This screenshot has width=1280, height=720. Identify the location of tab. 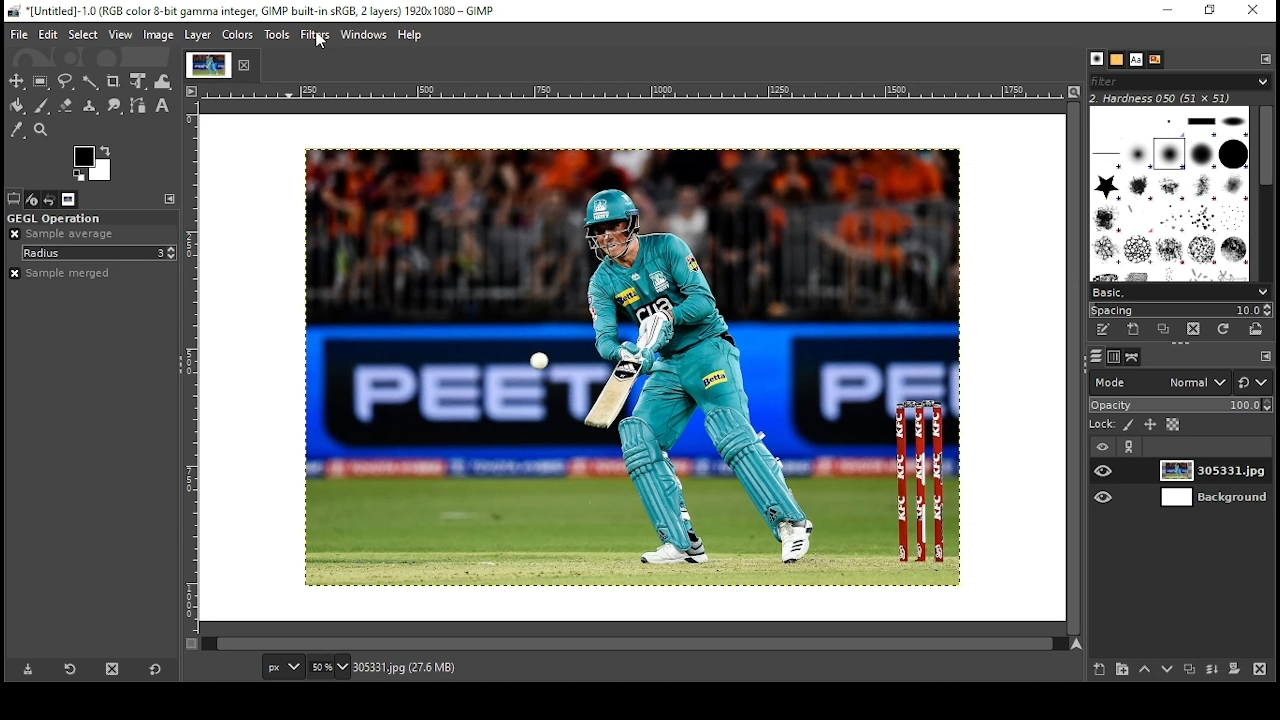
(206, 65).